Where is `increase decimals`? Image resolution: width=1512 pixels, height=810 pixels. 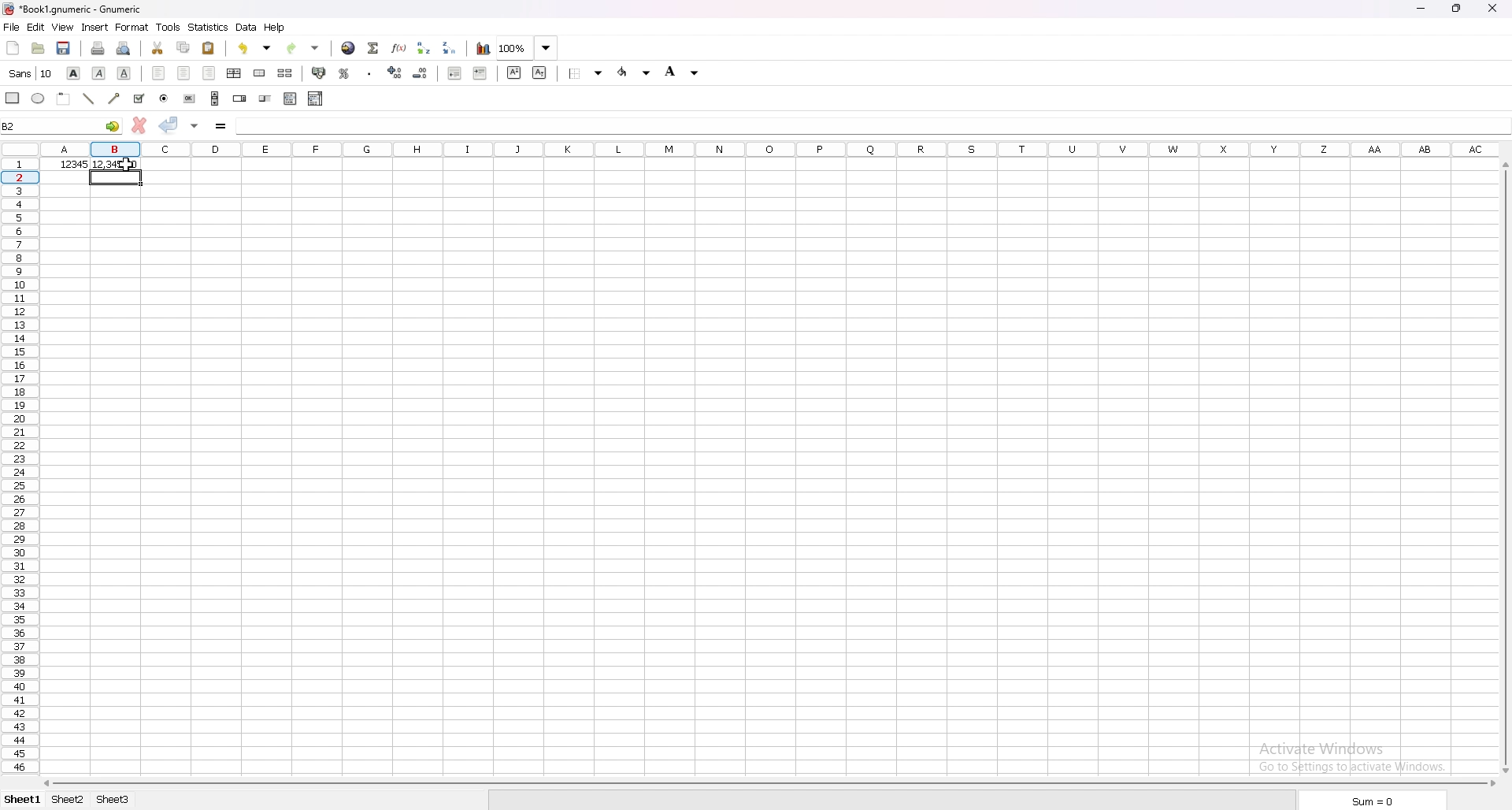 increase decimals is located at coordinates (397, 72).